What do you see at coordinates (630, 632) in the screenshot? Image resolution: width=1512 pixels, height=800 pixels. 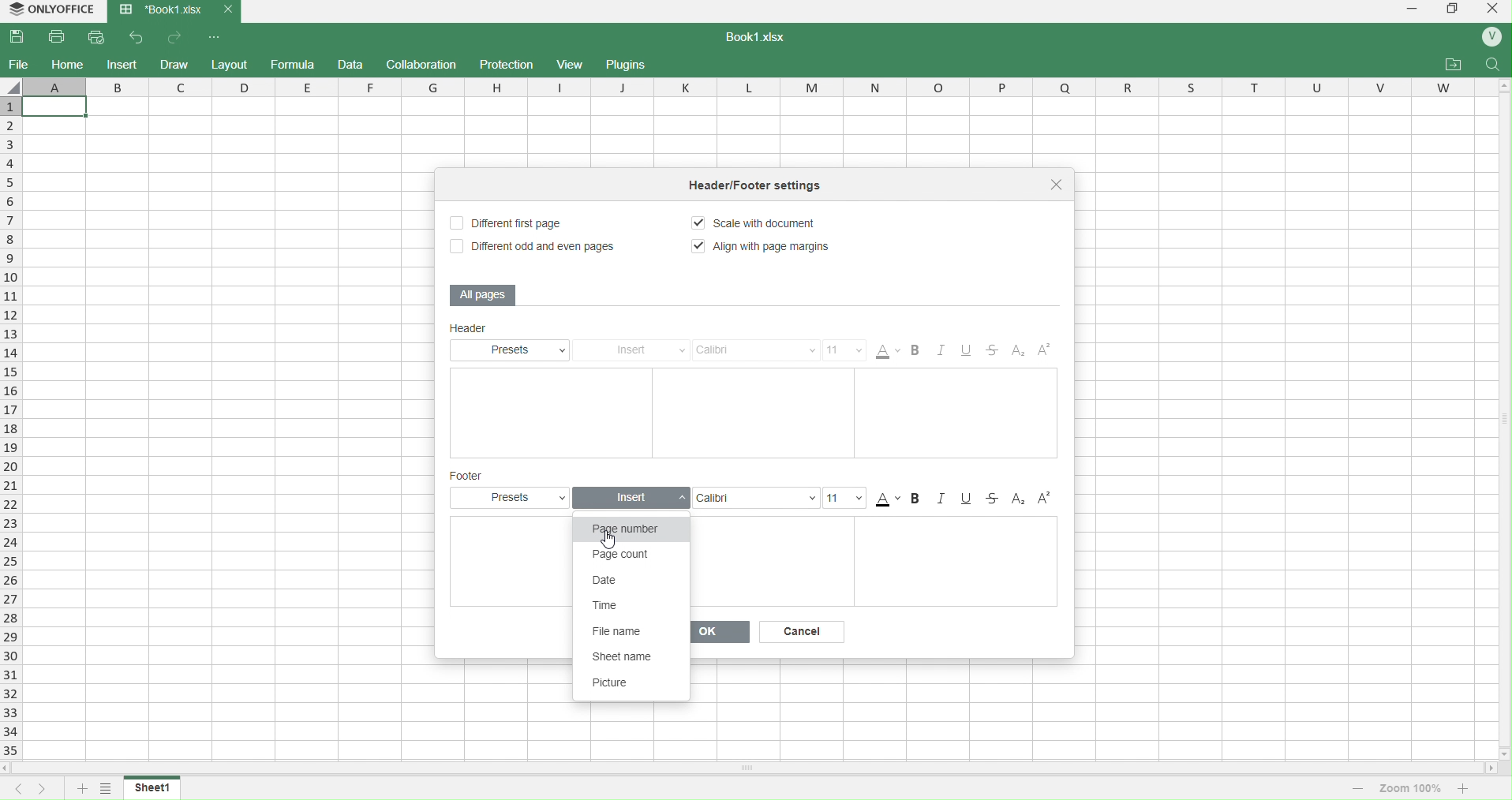 I see `File name` at bounding box center [630, 632].